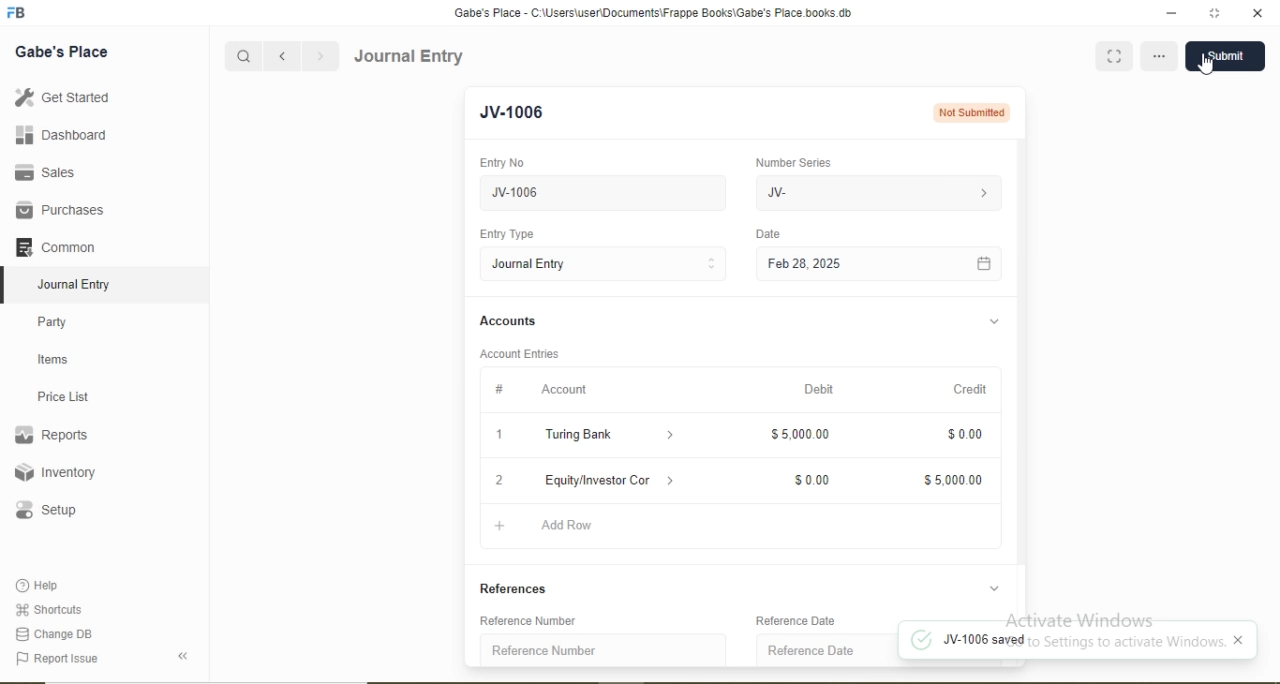 This screenshot has height=684, width=1280. What do you see at coordinates (51, 435) in the screenshot?
I see `Reports` at bounding box center [51, 435].